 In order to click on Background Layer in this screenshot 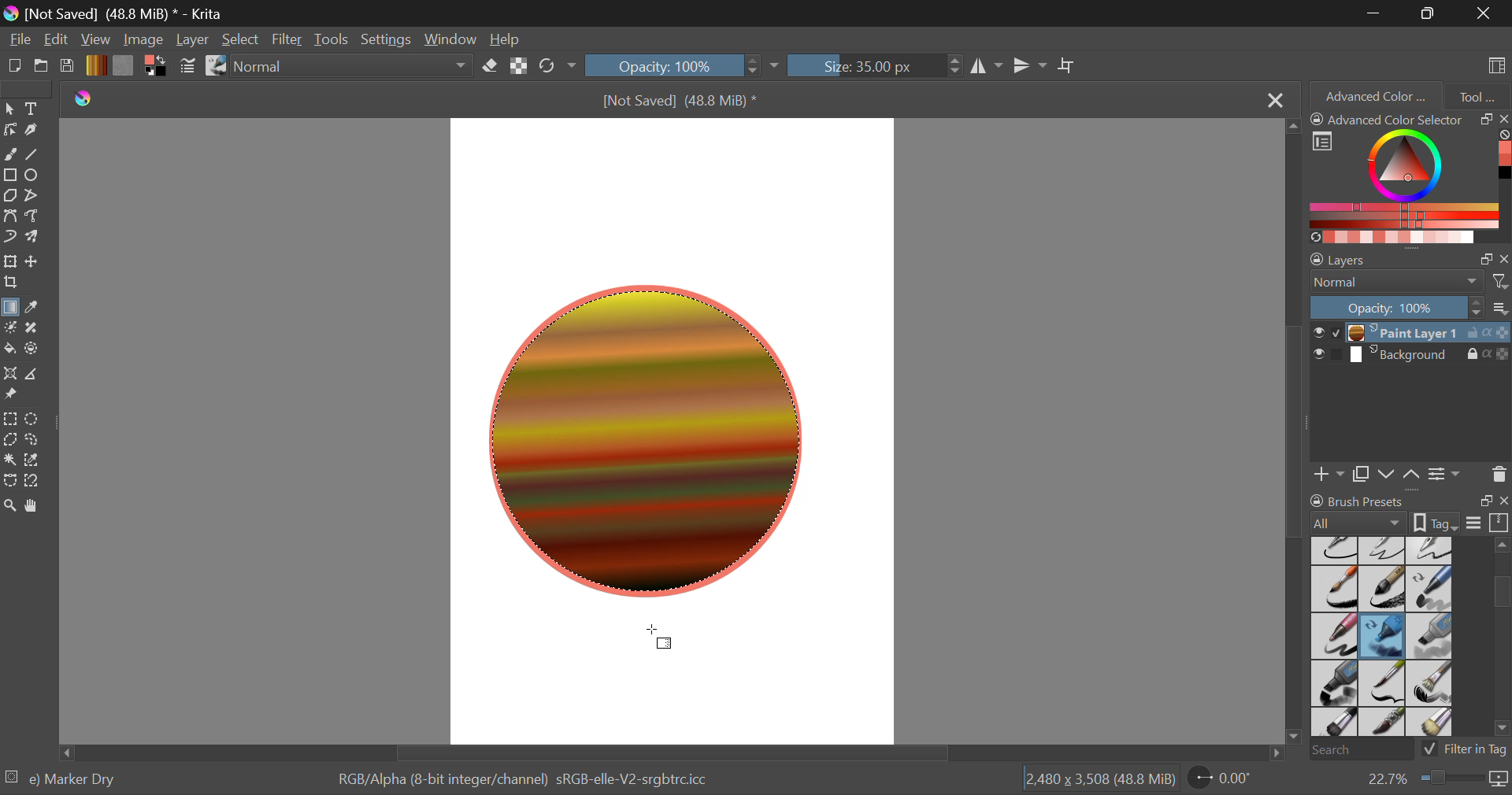, I will do `click(1410, 357)`.